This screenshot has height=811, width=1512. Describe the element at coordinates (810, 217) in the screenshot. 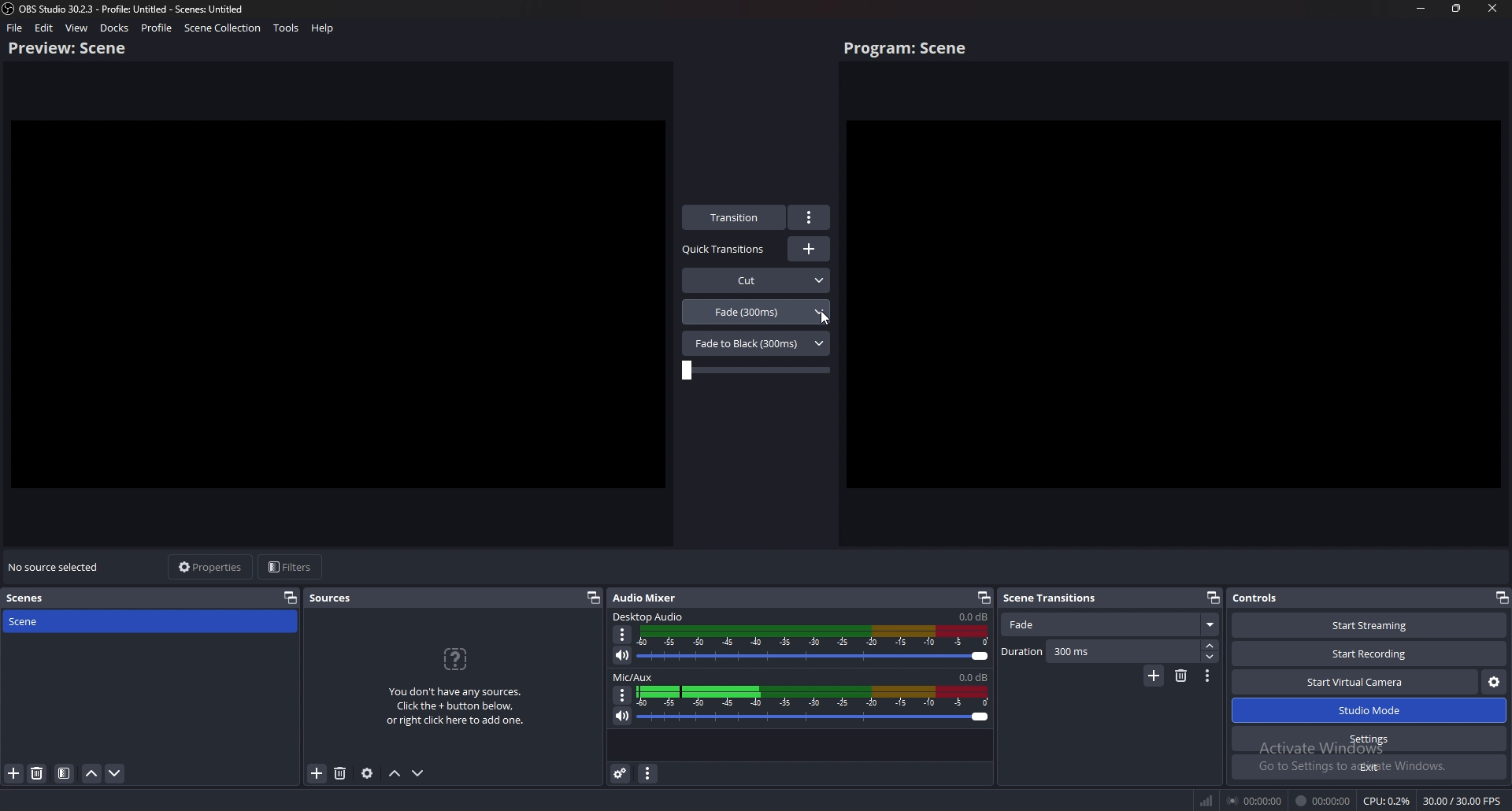

I see `options` at that location.